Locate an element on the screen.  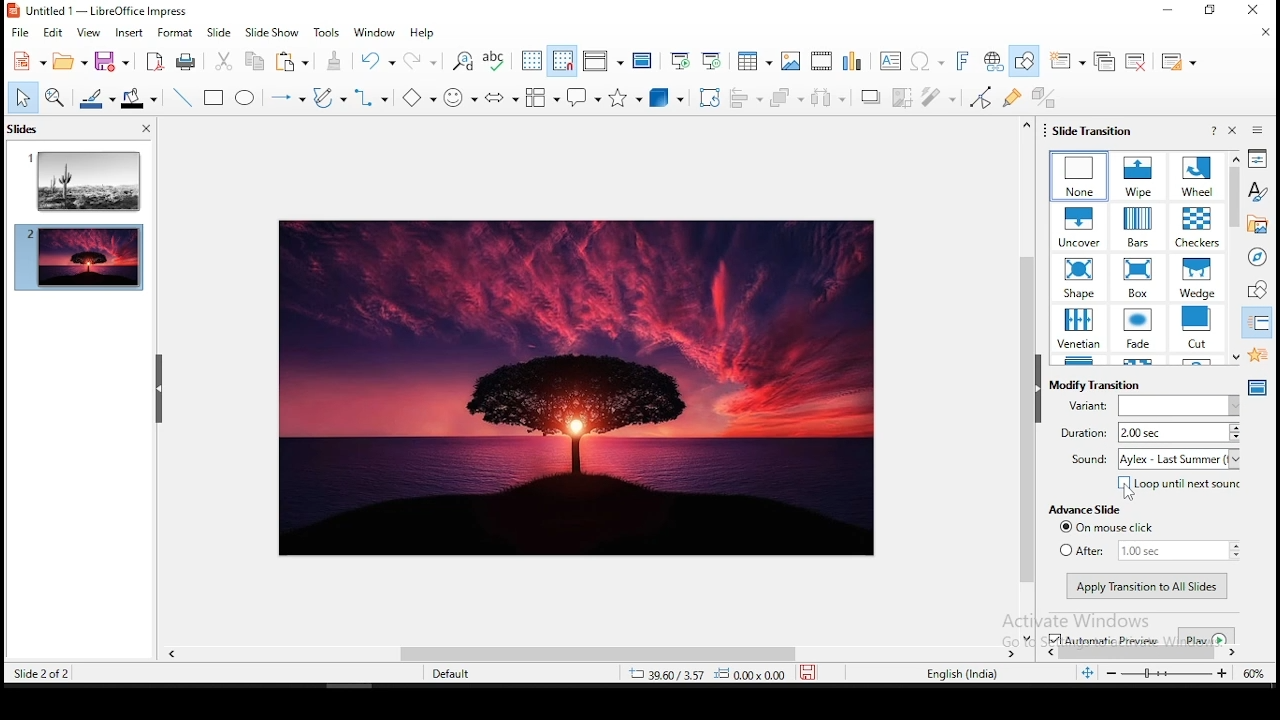
transition effects is located at coordinates (1196, 226).